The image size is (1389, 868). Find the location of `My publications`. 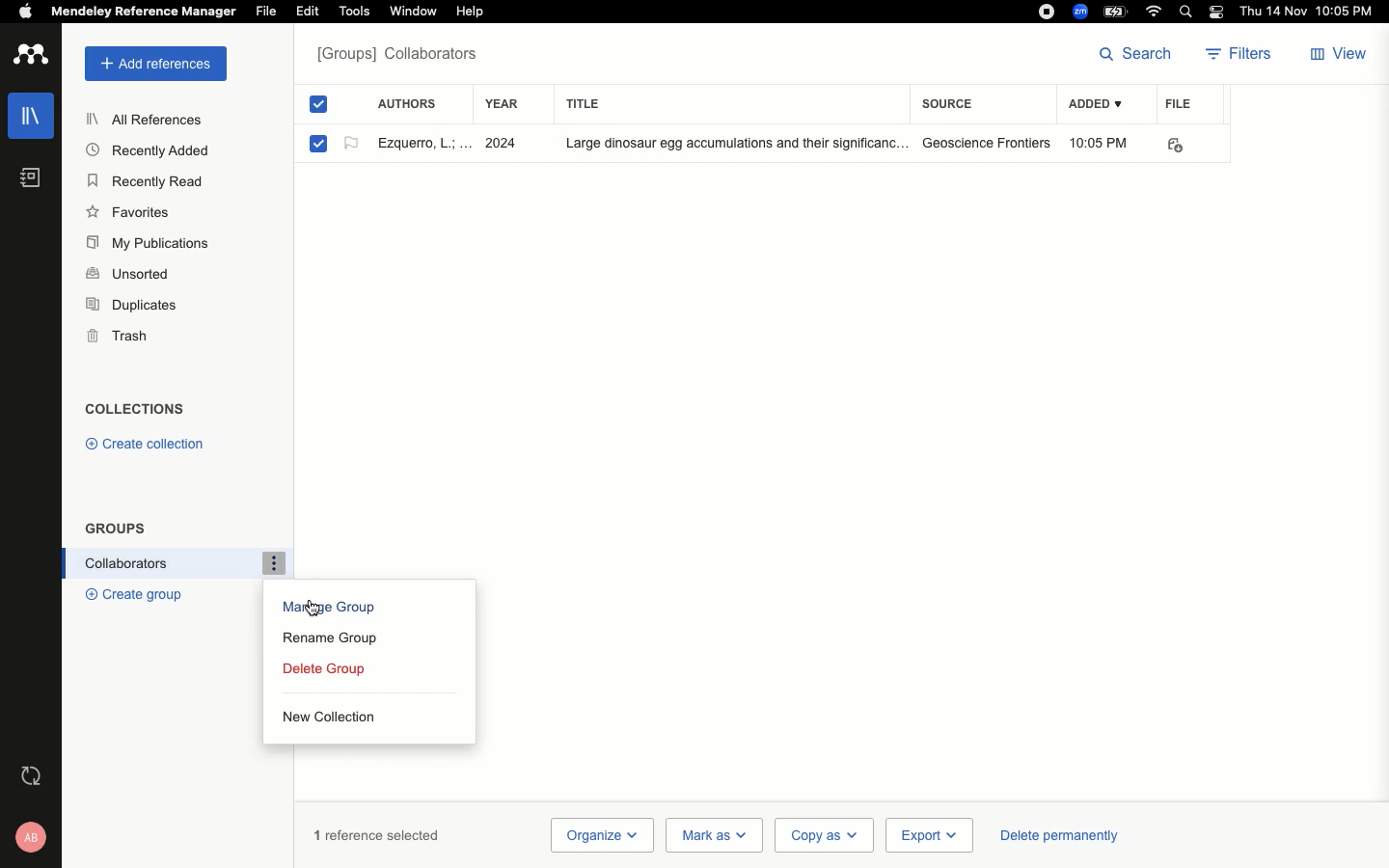

My publications is located at coordinates (154, 245).